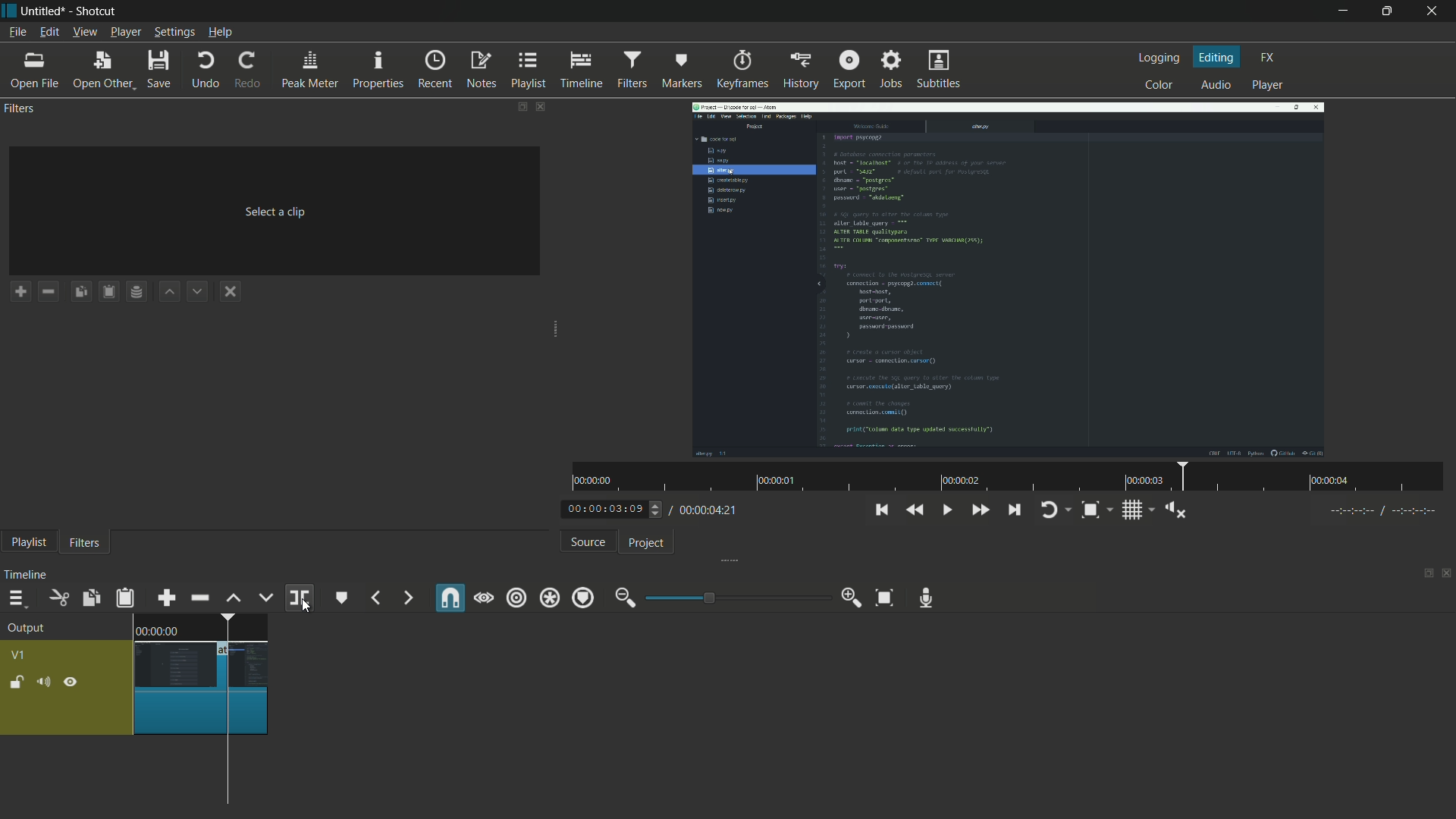  Describe the element at coordinates (43, 682) in the screenshot. I see `mute` at that location.